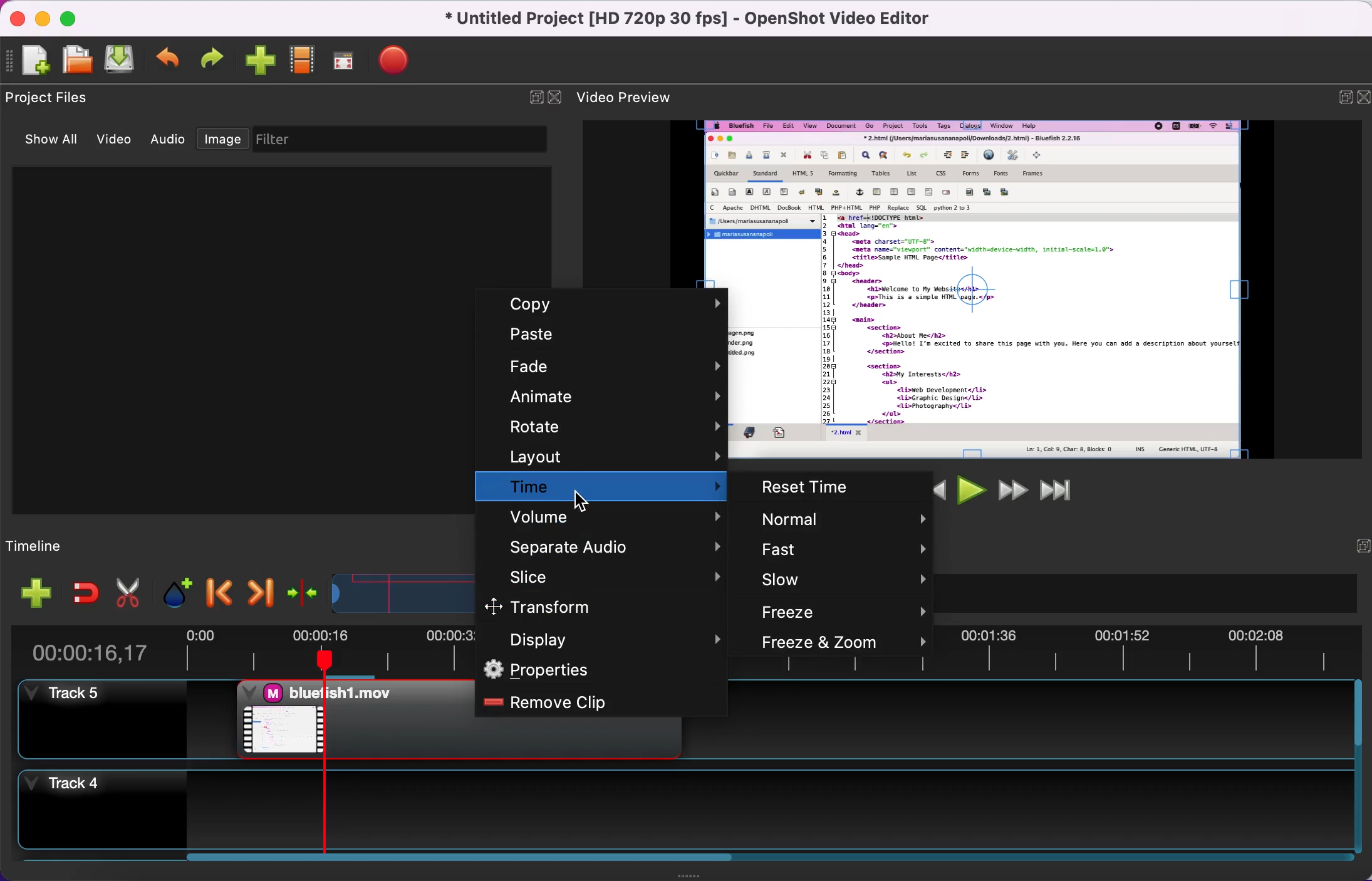 The image size is (1372, 881). I want to click on Cursor, so click(579, 501).